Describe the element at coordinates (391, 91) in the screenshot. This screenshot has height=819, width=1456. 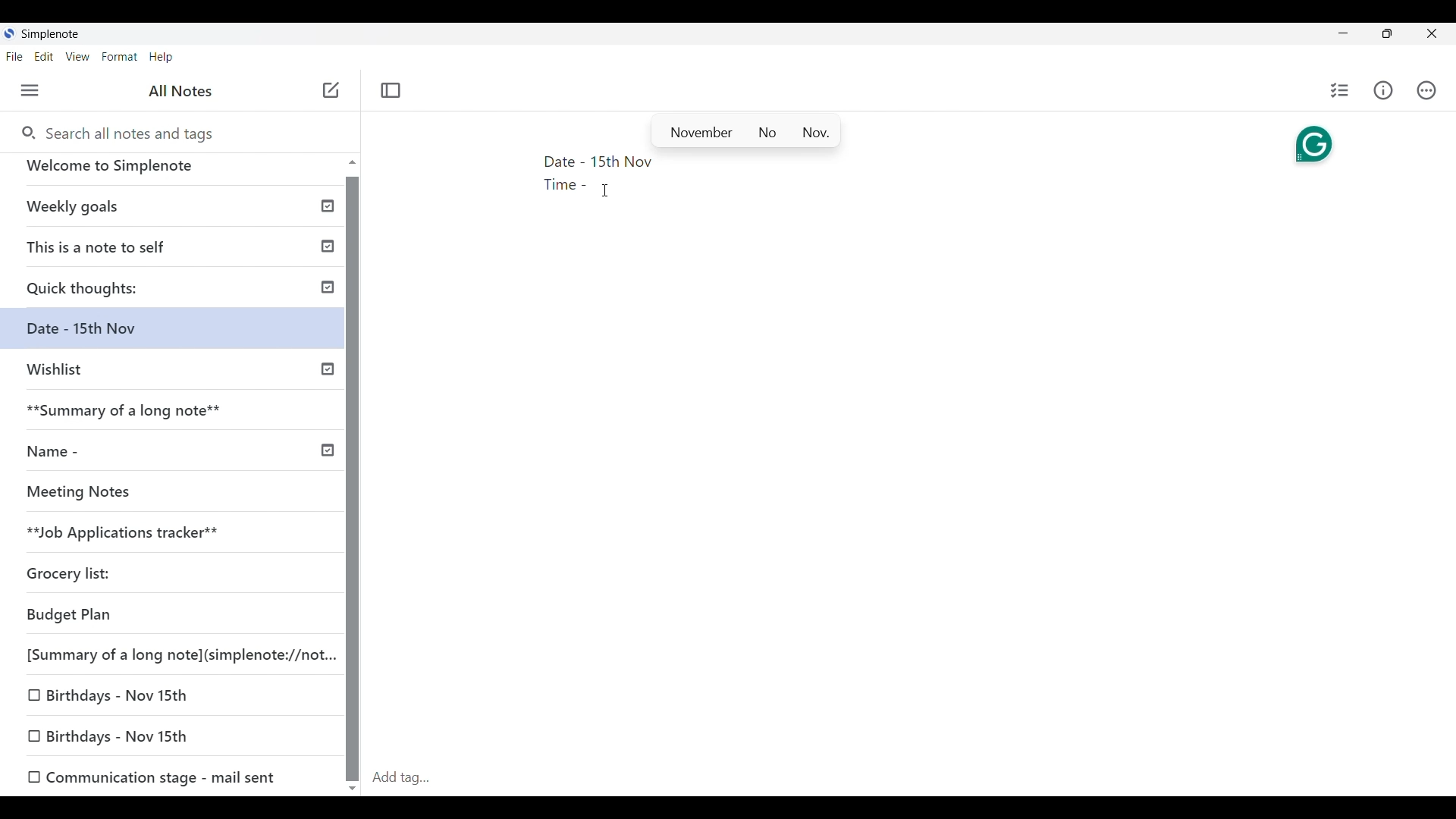
I see `Toggle focus mode` at that location.